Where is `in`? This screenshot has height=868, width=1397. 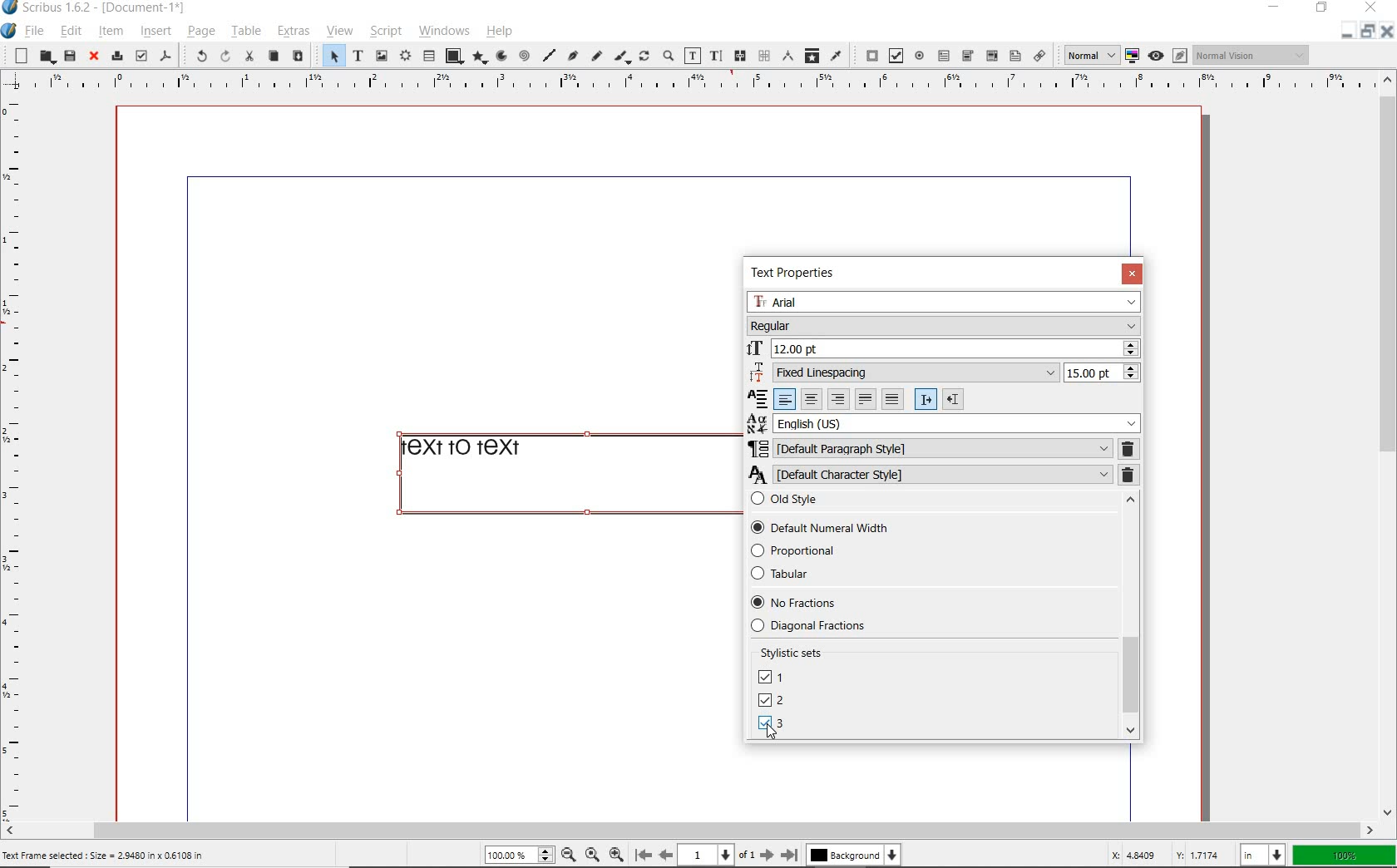
in is located at coordinates (1265, 854).